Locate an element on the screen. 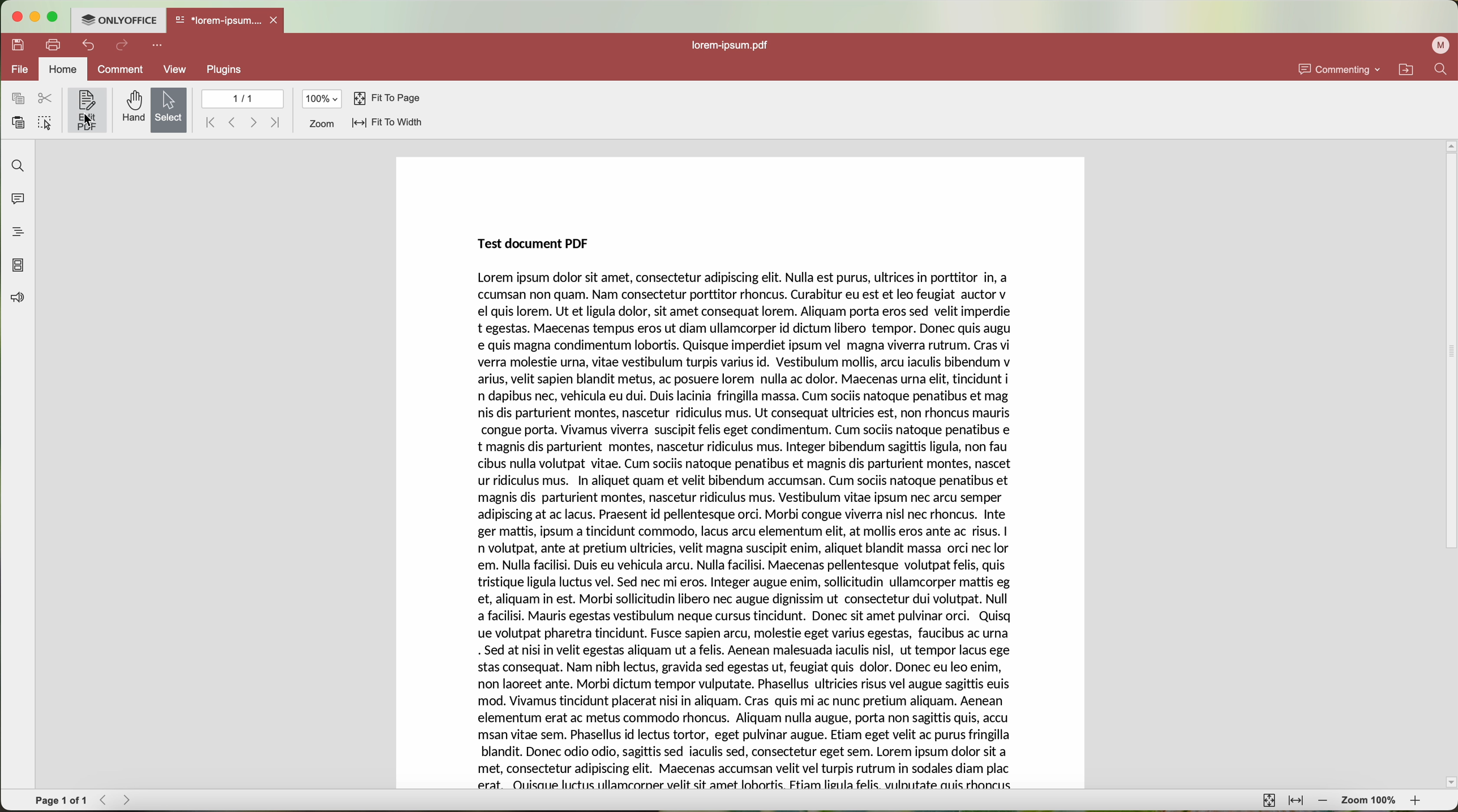  view is located at coordinates (175, 70).